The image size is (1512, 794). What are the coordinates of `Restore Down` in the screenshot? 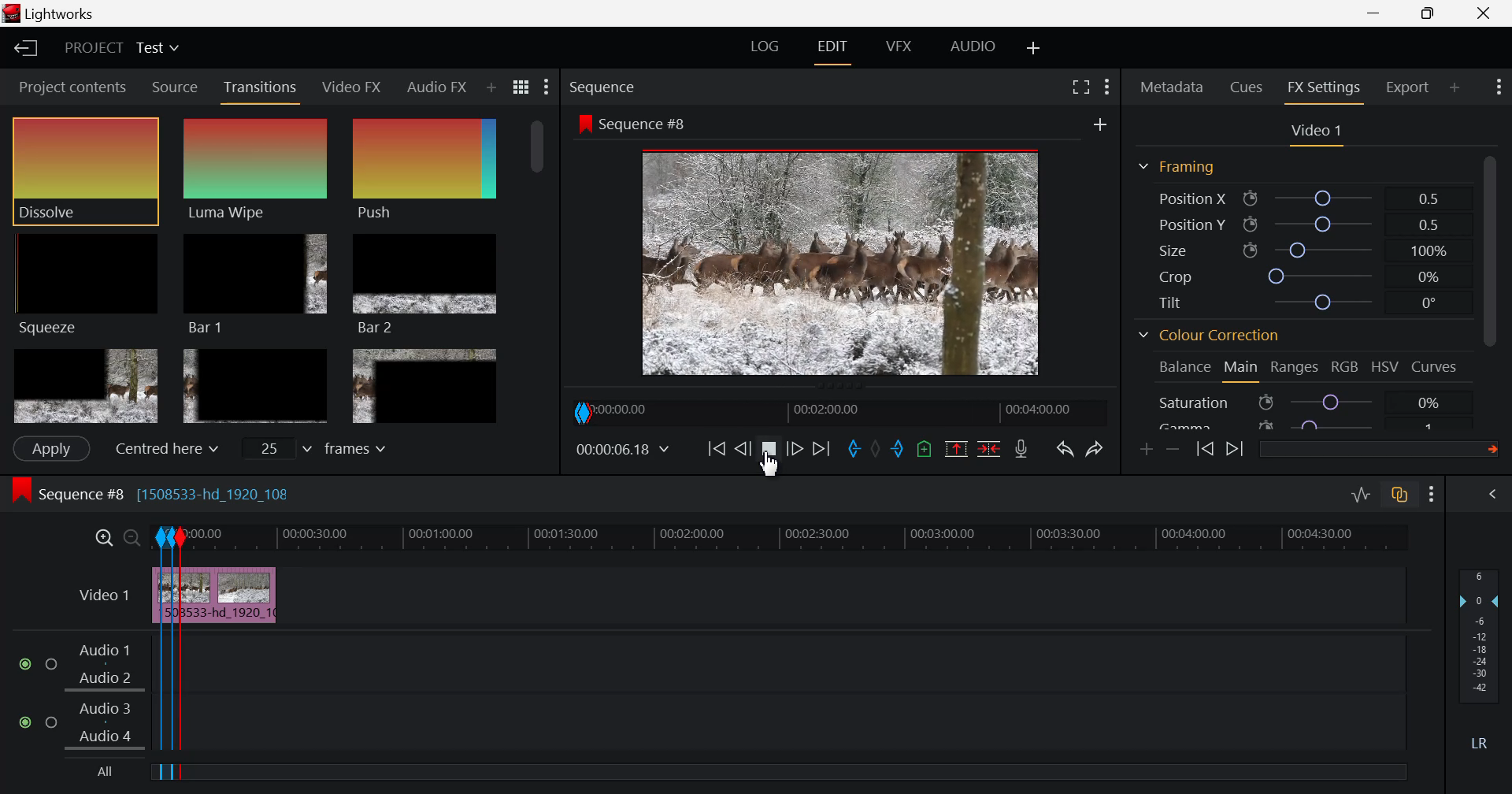 It's located at (1378, 13).